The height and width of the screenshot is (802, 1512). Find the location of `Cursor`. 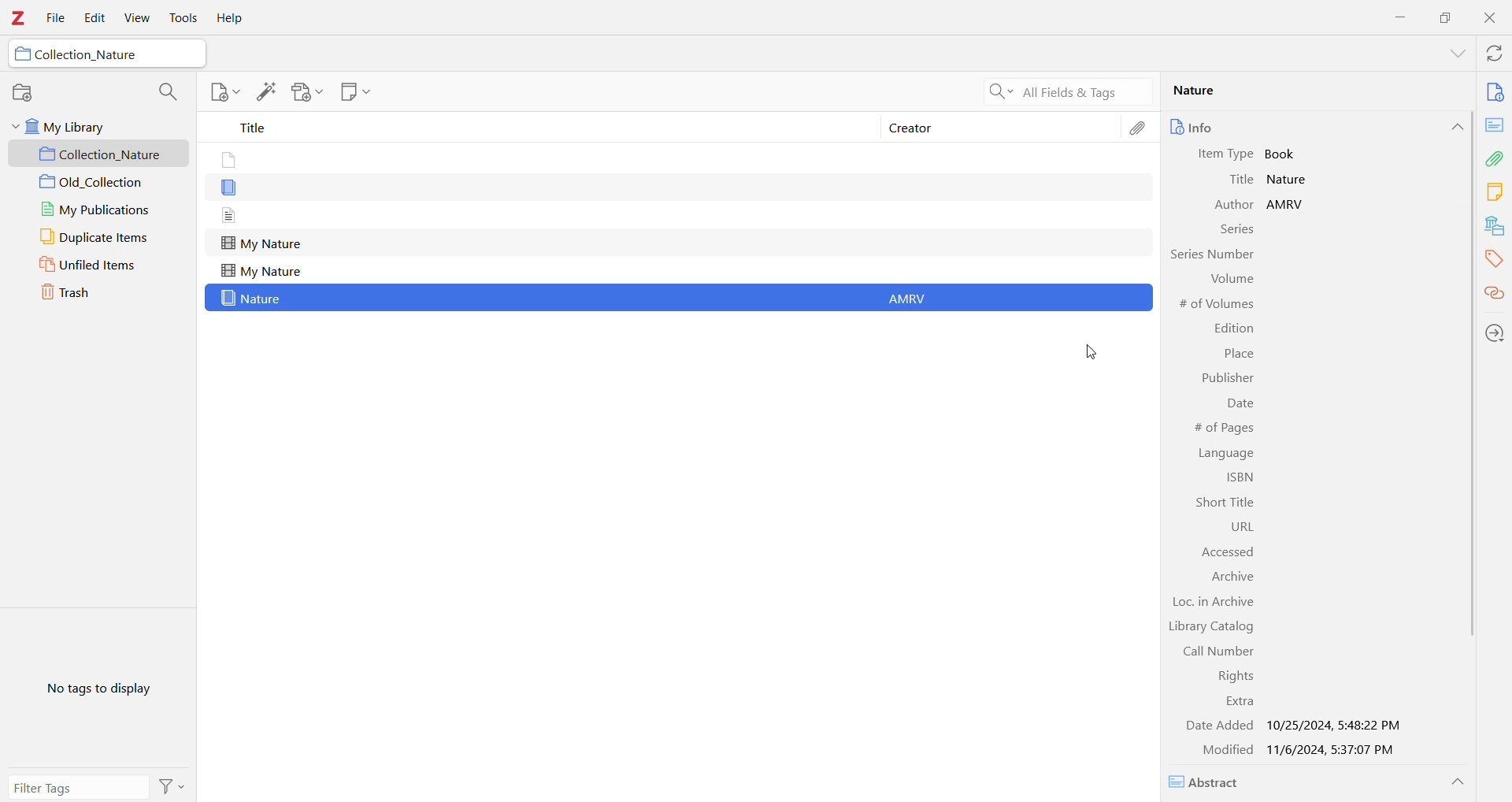

Cursor is located at coordinates (1095, 354).